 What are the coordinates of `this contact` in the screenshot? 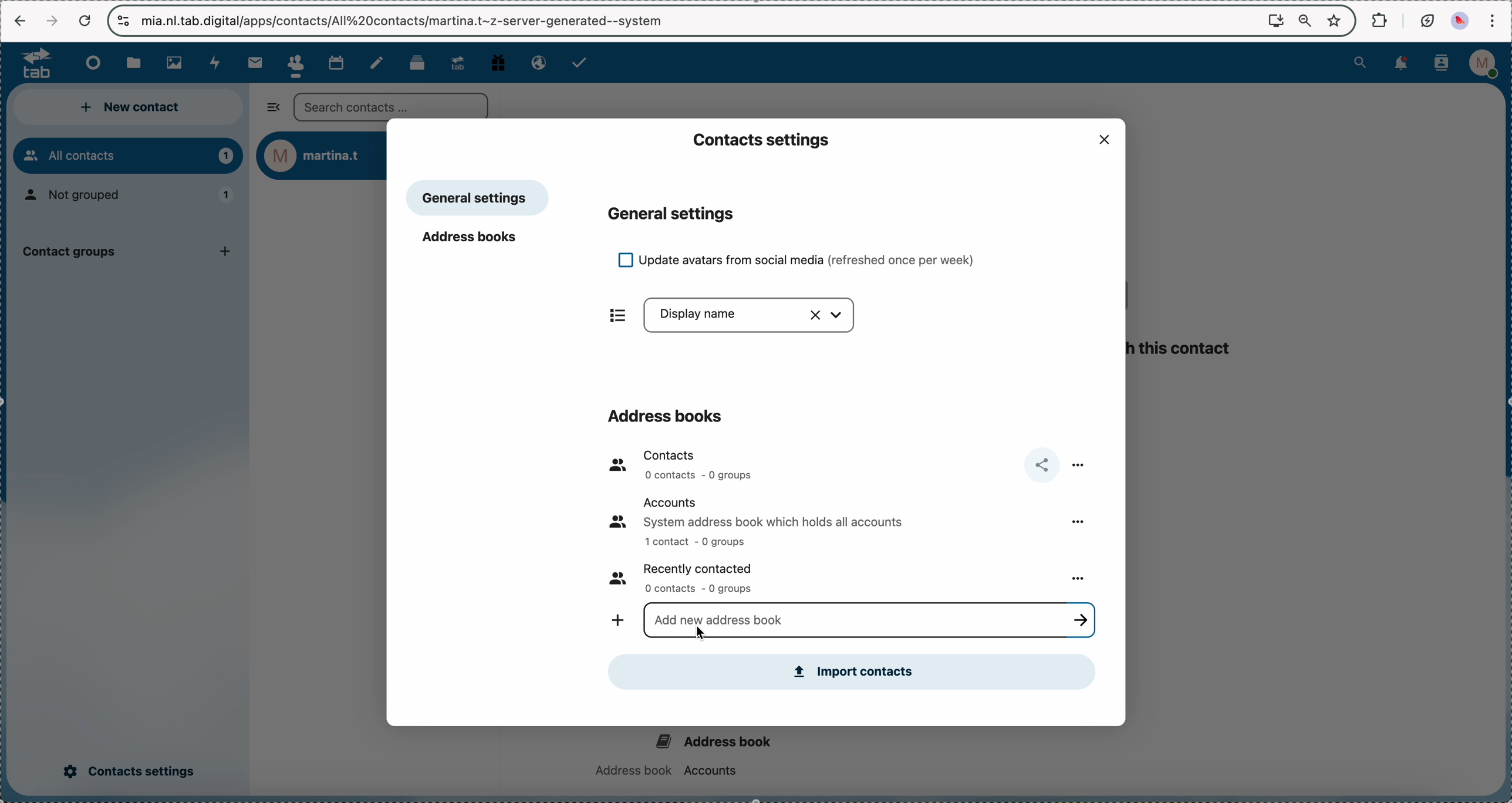 It's located at (1183, 349).